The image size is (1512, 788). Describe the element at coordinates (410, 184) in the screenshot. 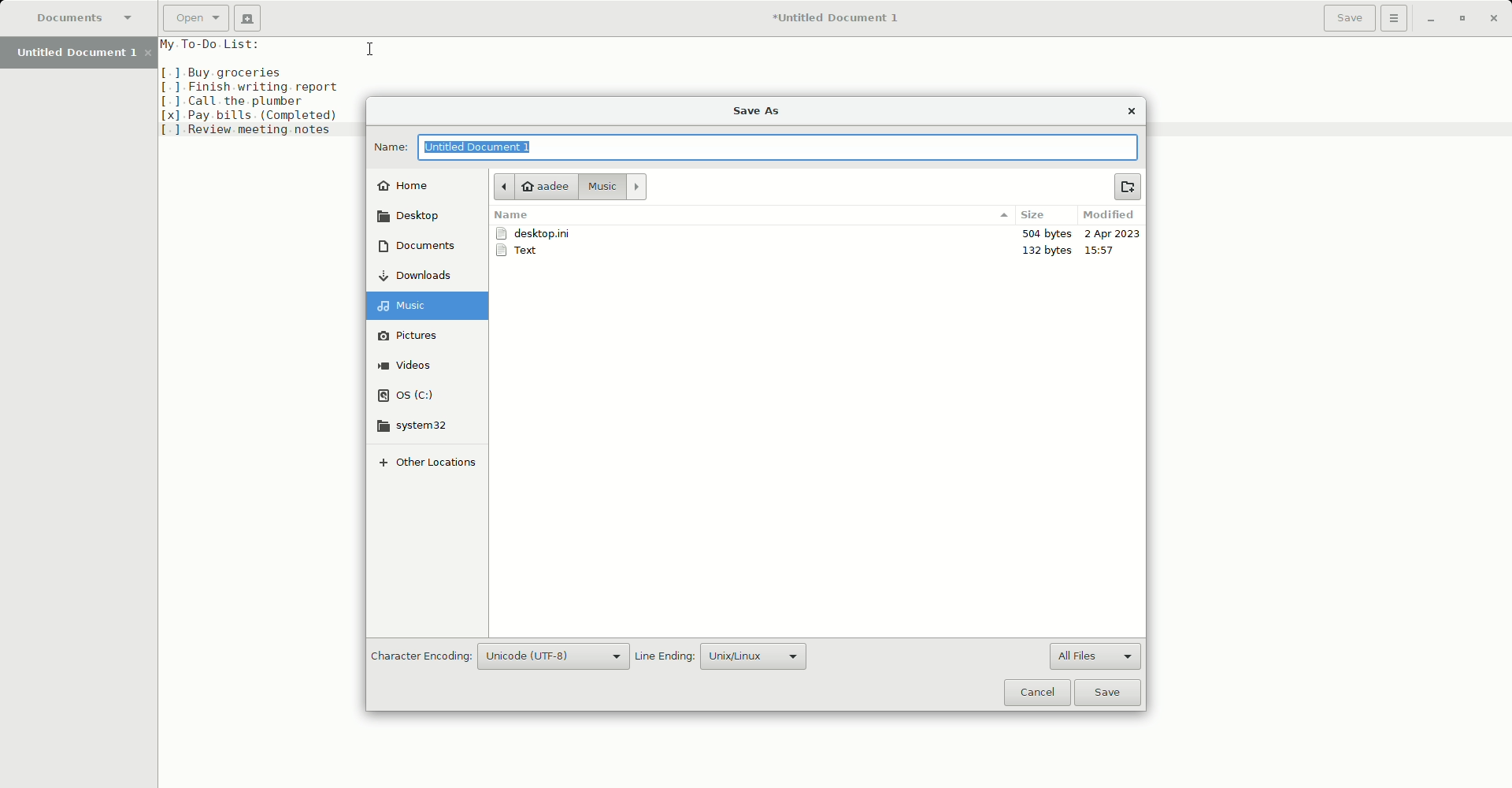

I see `Home` at that location.